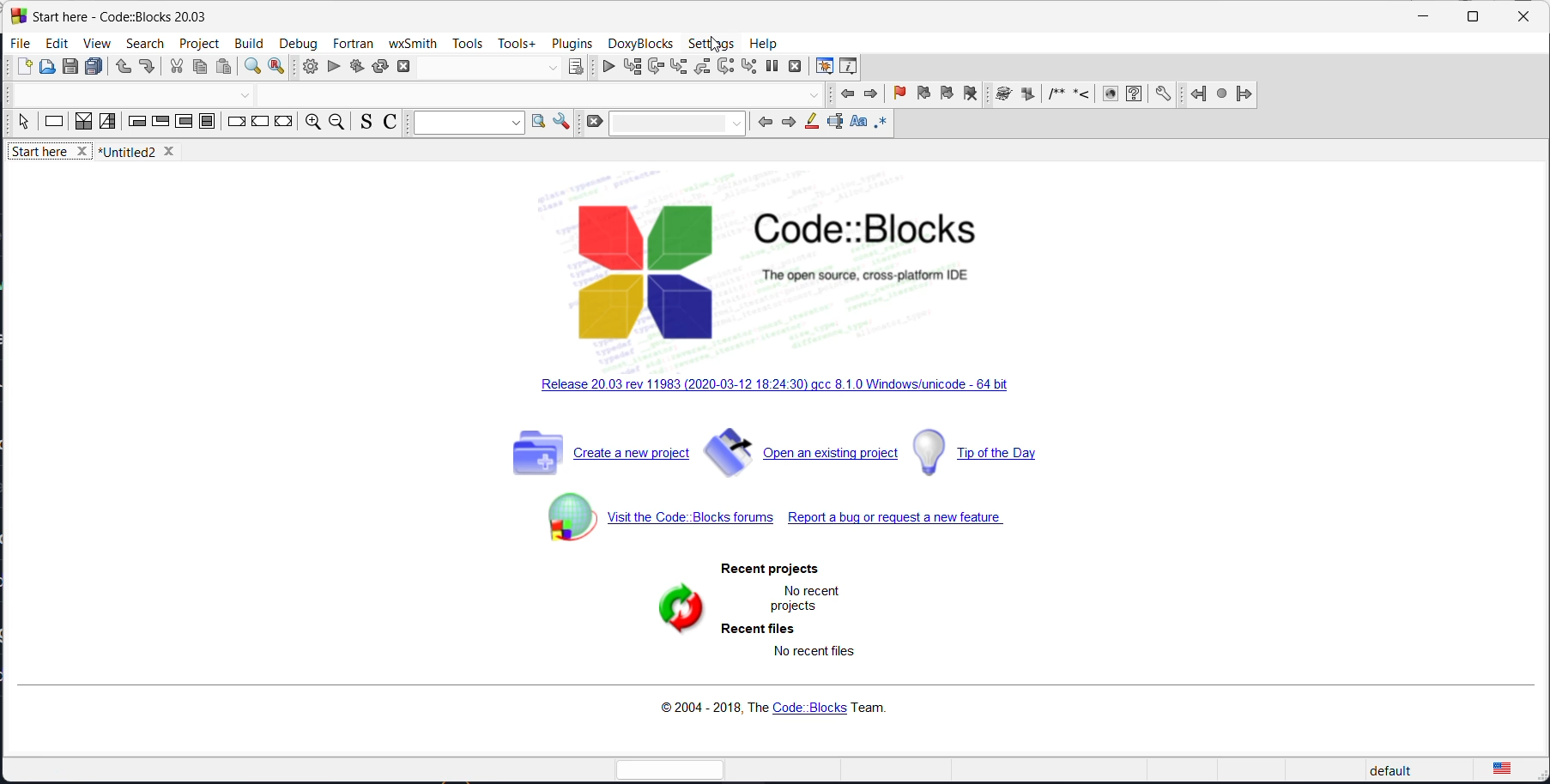 This screenshot has height=784, width=1550. Describe the element at coordinates (856, 124) in the screenshot. I see `match case` at that location.